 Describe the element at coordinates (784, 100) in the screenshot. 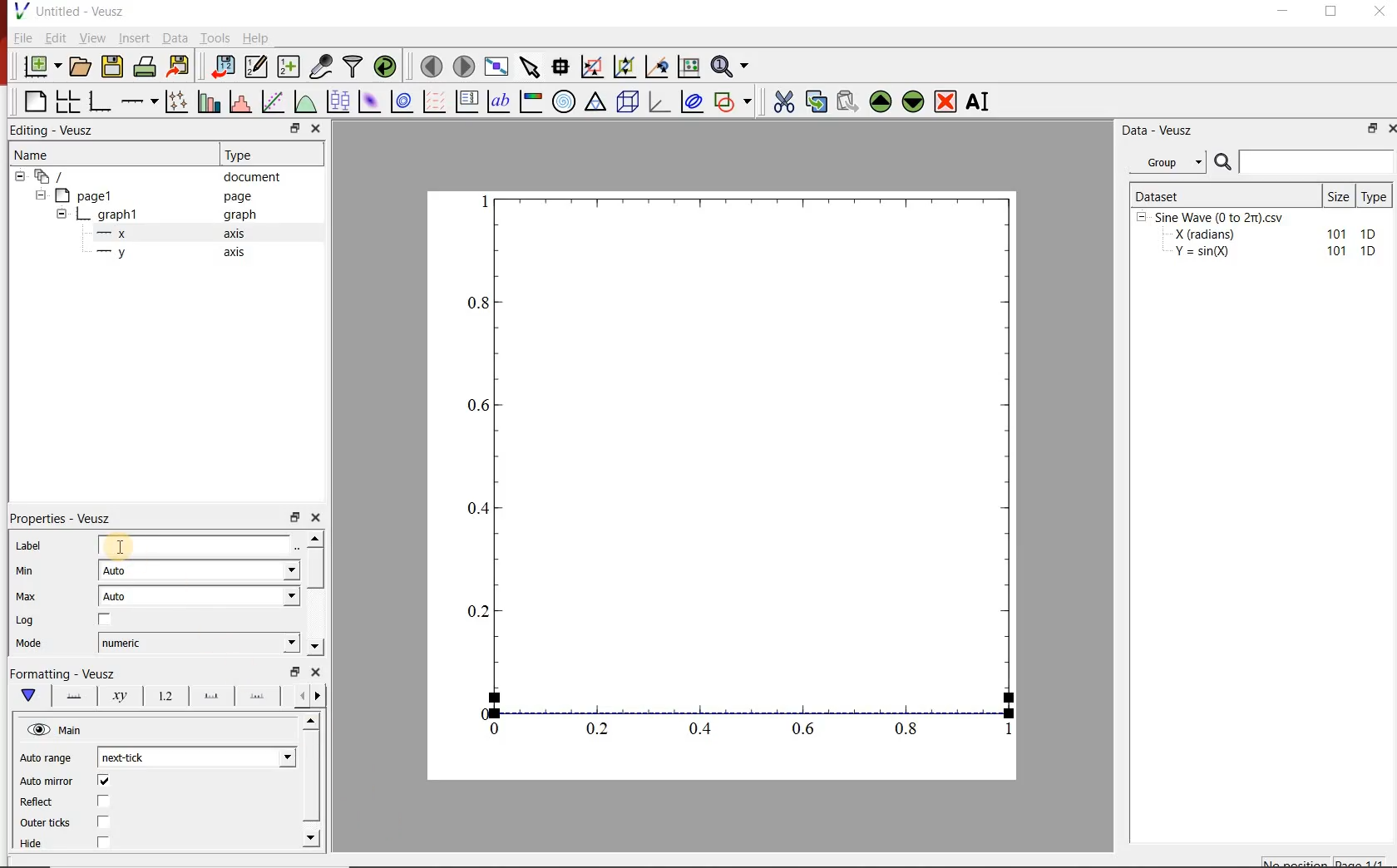

I see `cut` at that location.